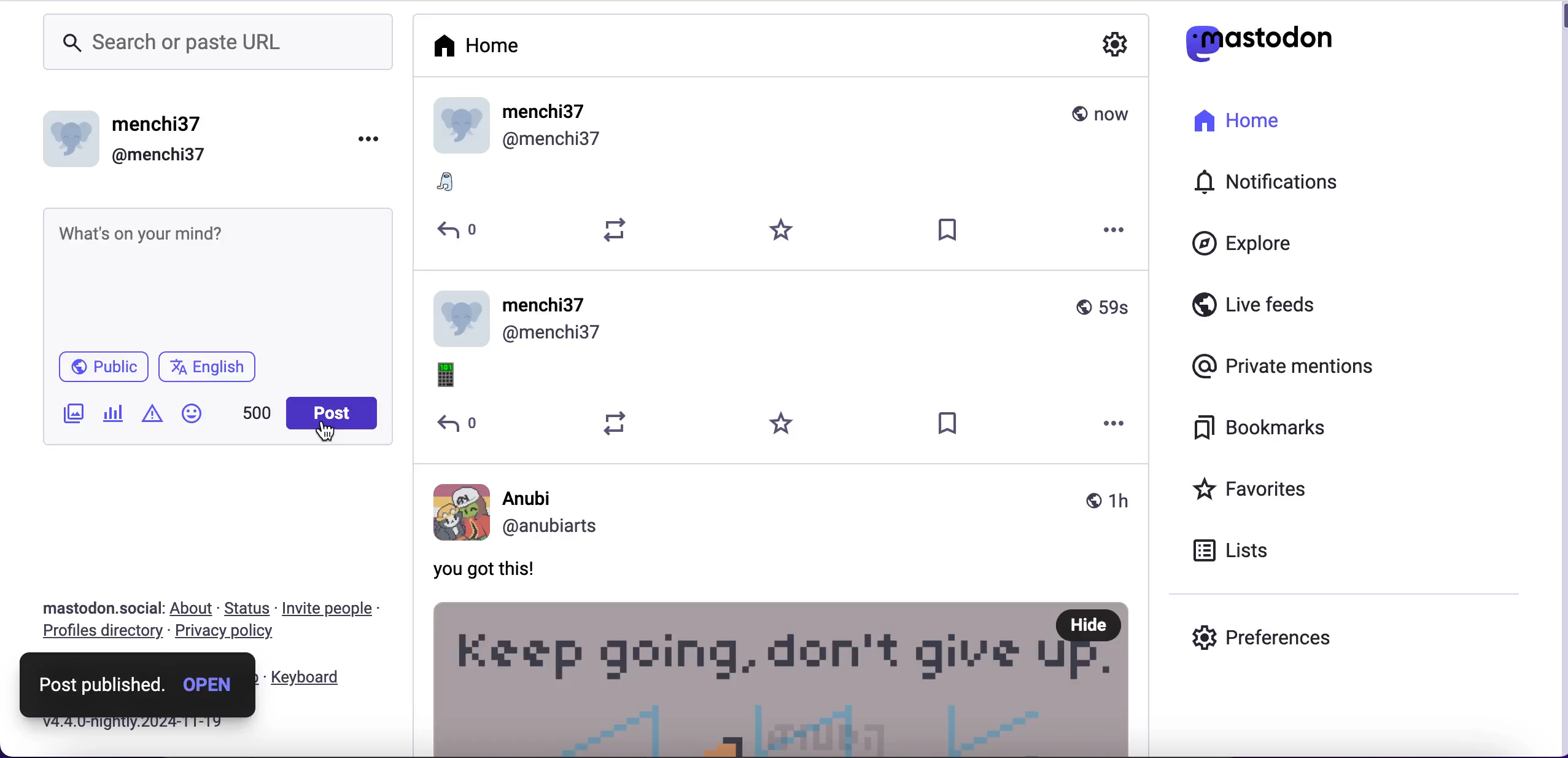  Describe the element at coordinates (783, 424) in the screenshot. I see `favorites` at that location.